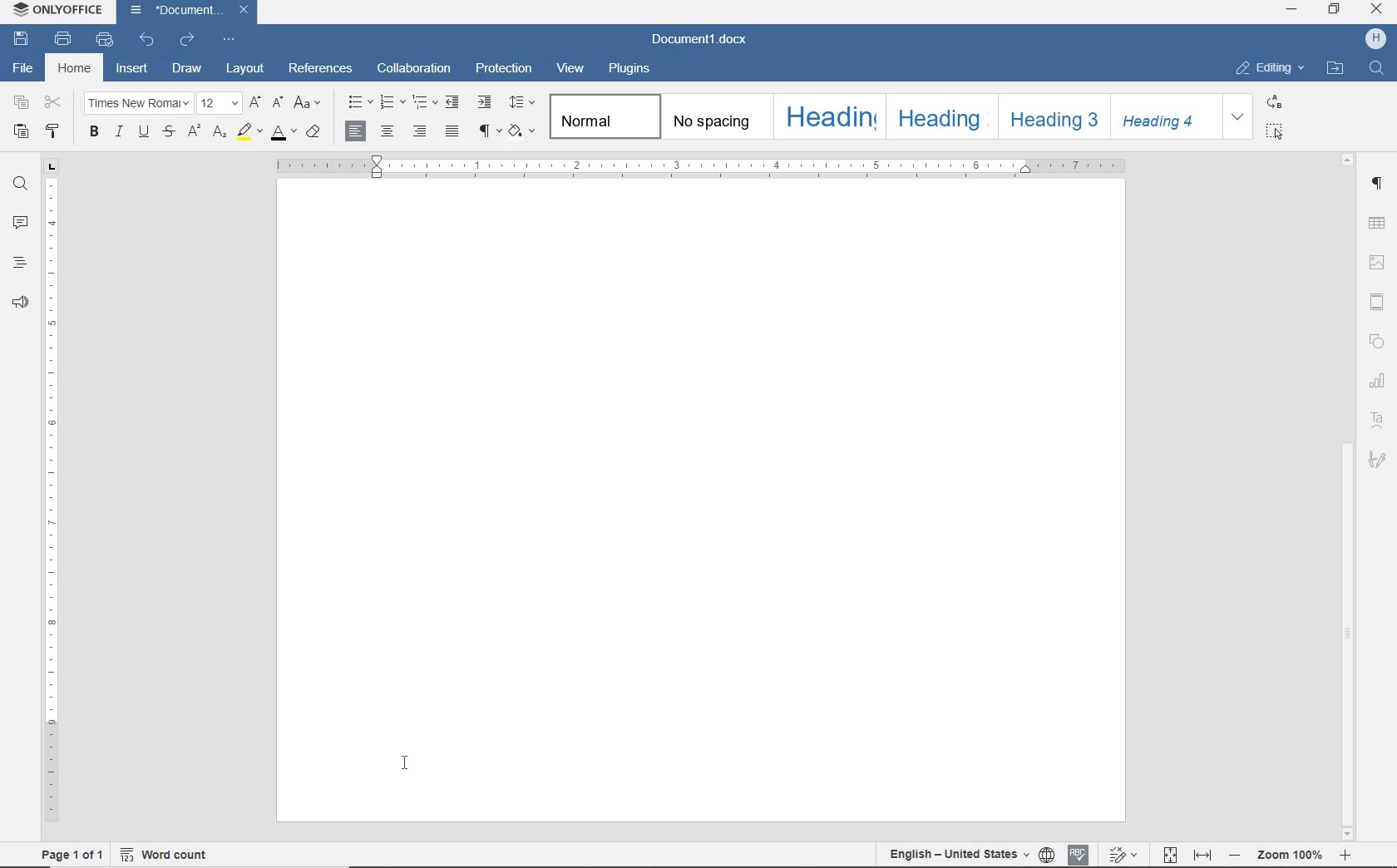 This screenshot has height=868, width=1397. I want to click on headings, so click(18, 263).